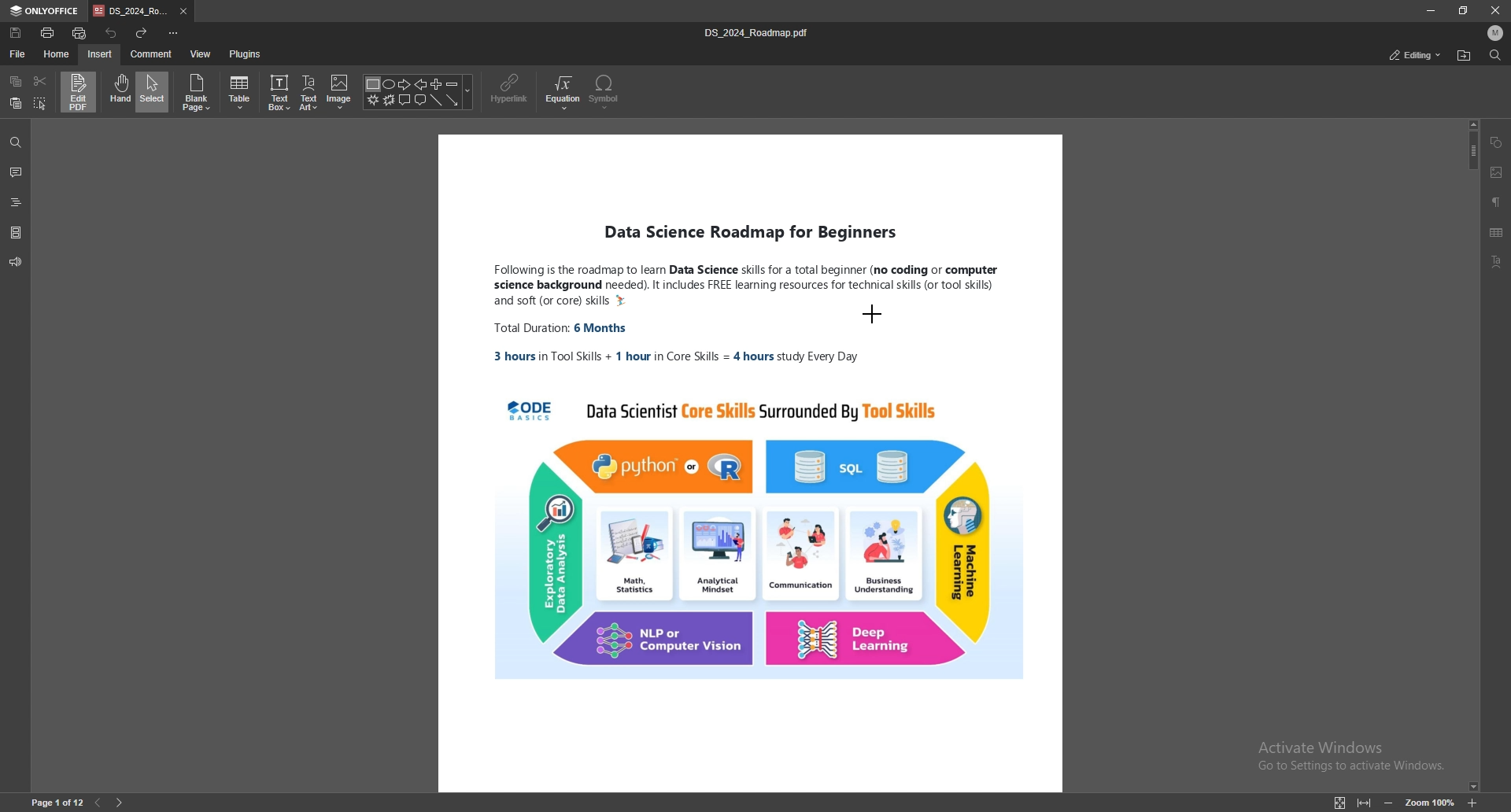 Image resolution: width=1511 pixels, height=812 pixels. What do you see at coordinates (46, 11) in the screenshot?
I see `onlyoffice` at bounding box center [46, 11].